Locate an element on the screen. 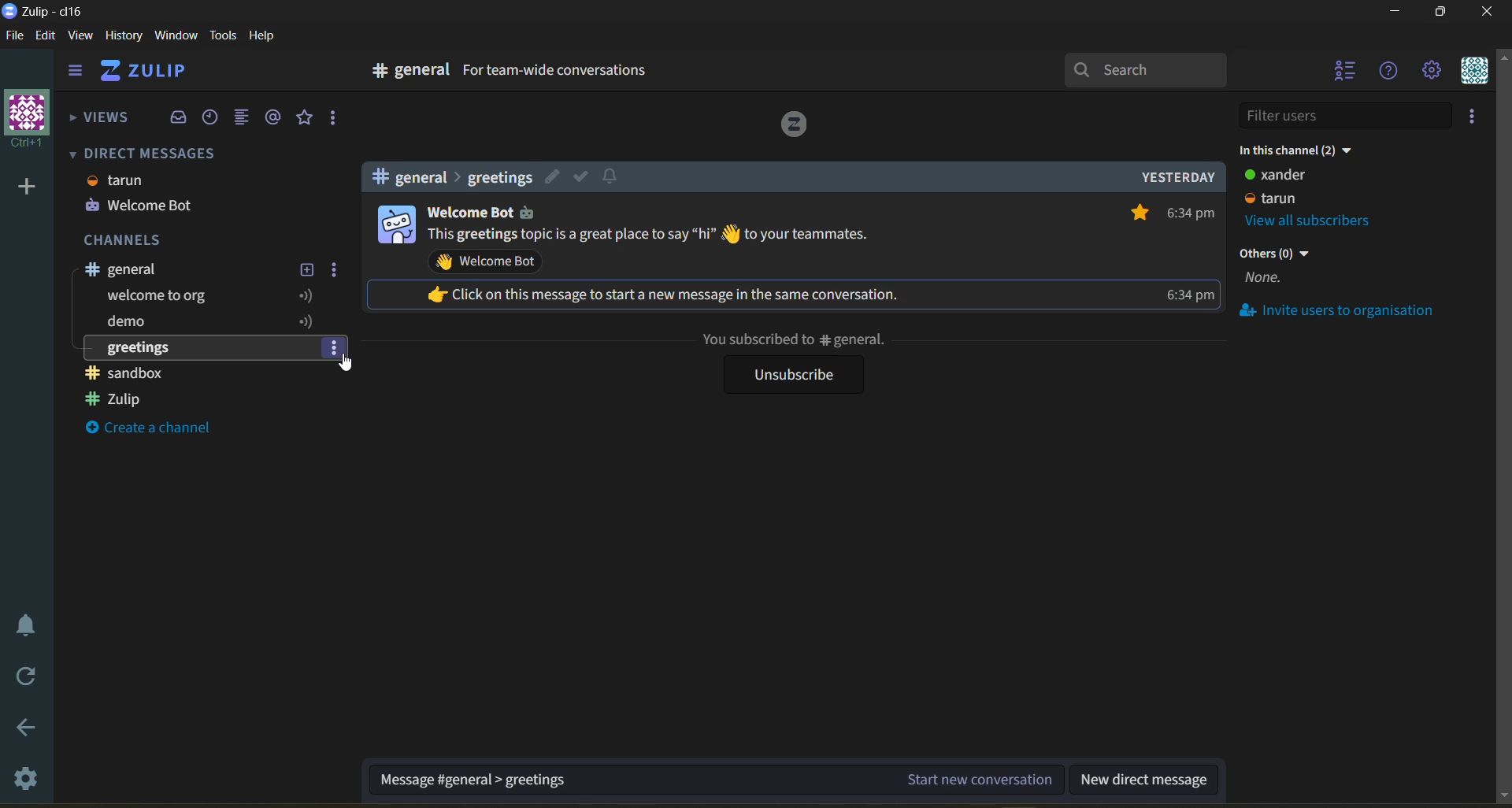  welcome bot is located at coordinates (141, 206).